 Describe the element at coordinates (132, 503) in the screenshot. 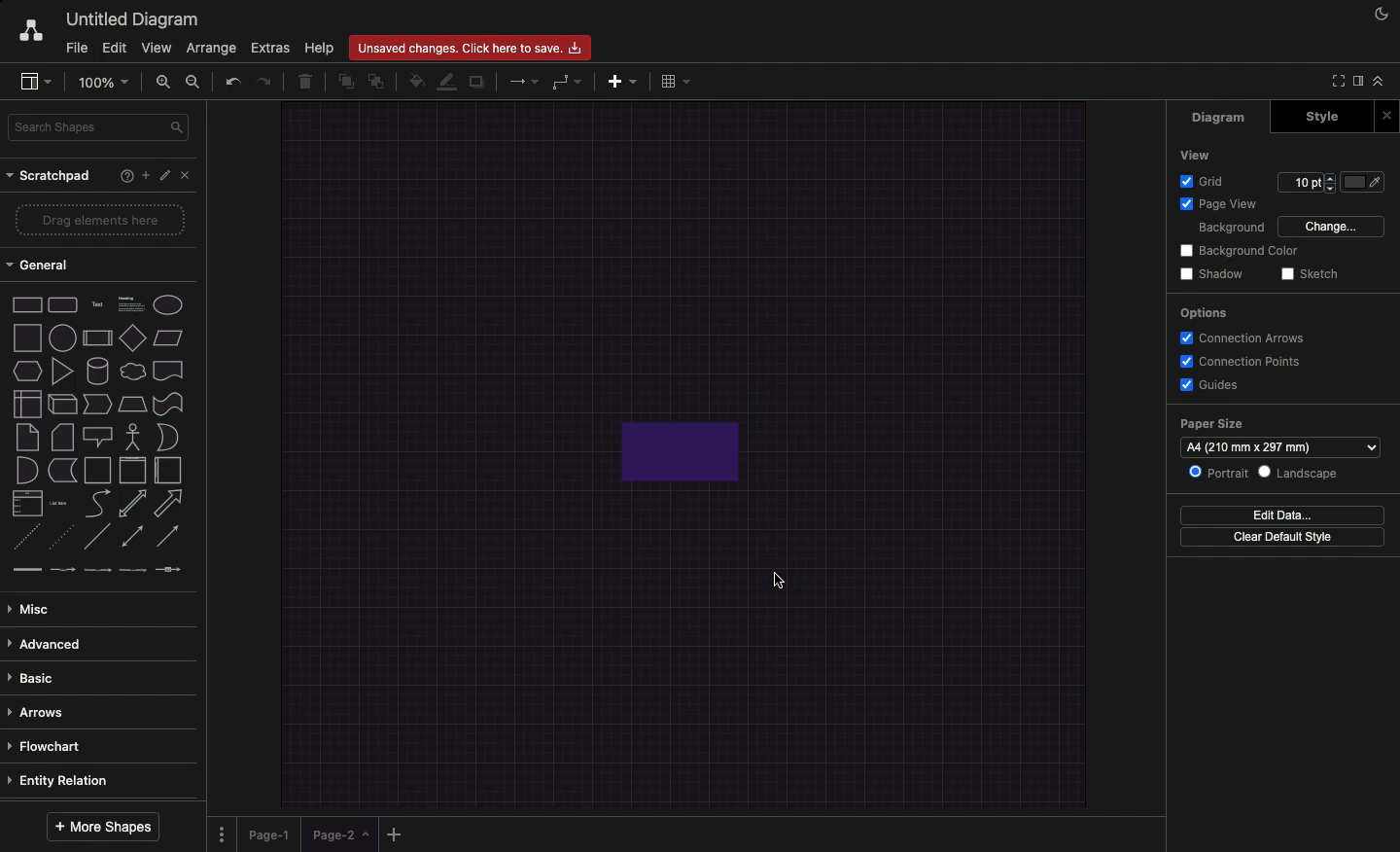

I see `bidirectional arrow` at that location.